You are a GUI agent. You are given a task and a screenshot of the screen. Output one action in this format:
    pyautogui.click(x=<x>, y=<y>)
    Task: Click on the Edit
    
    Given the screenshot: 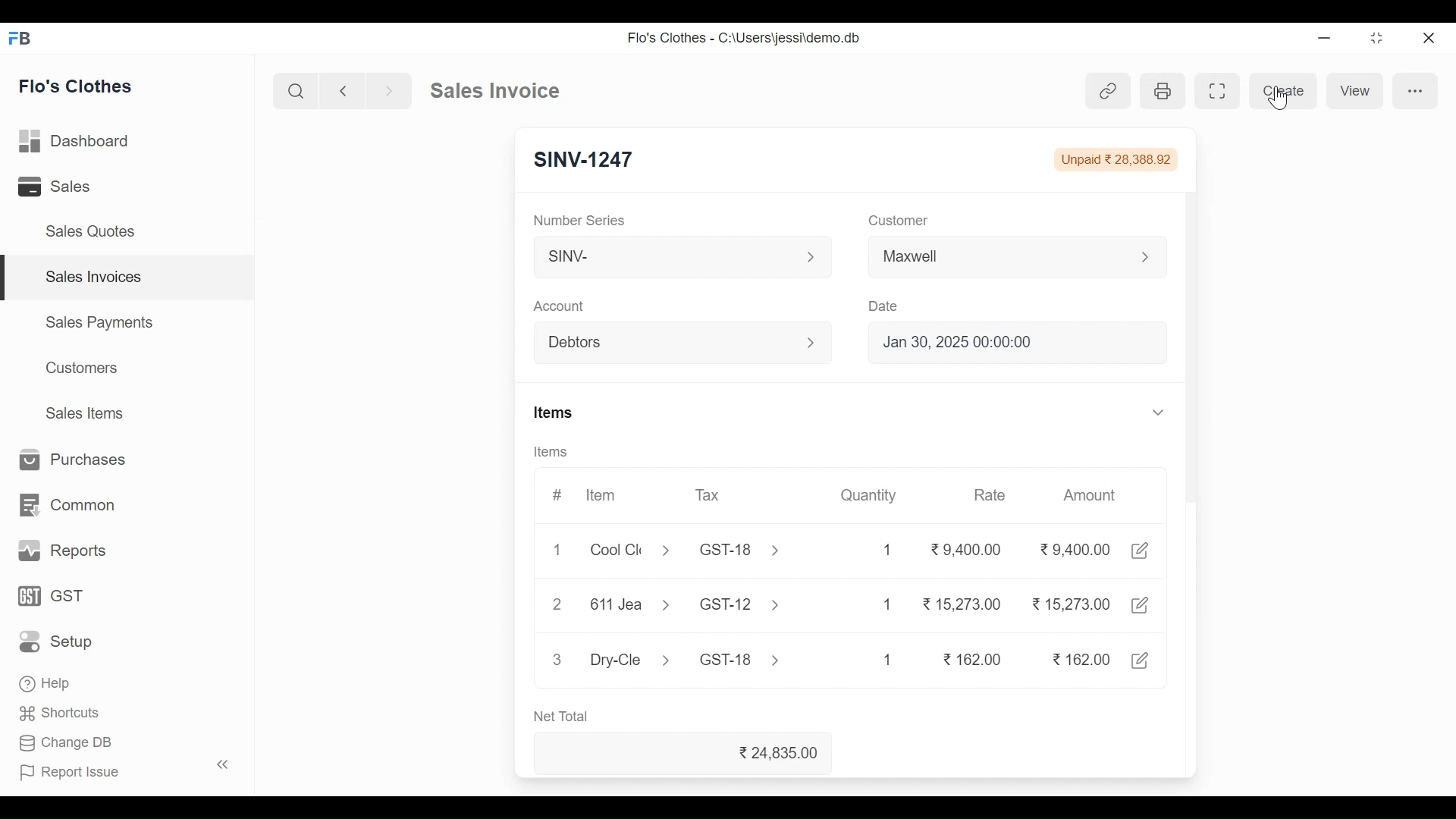 What is the action you would take?
    pyautogui.click(x=1143, y=551)
    